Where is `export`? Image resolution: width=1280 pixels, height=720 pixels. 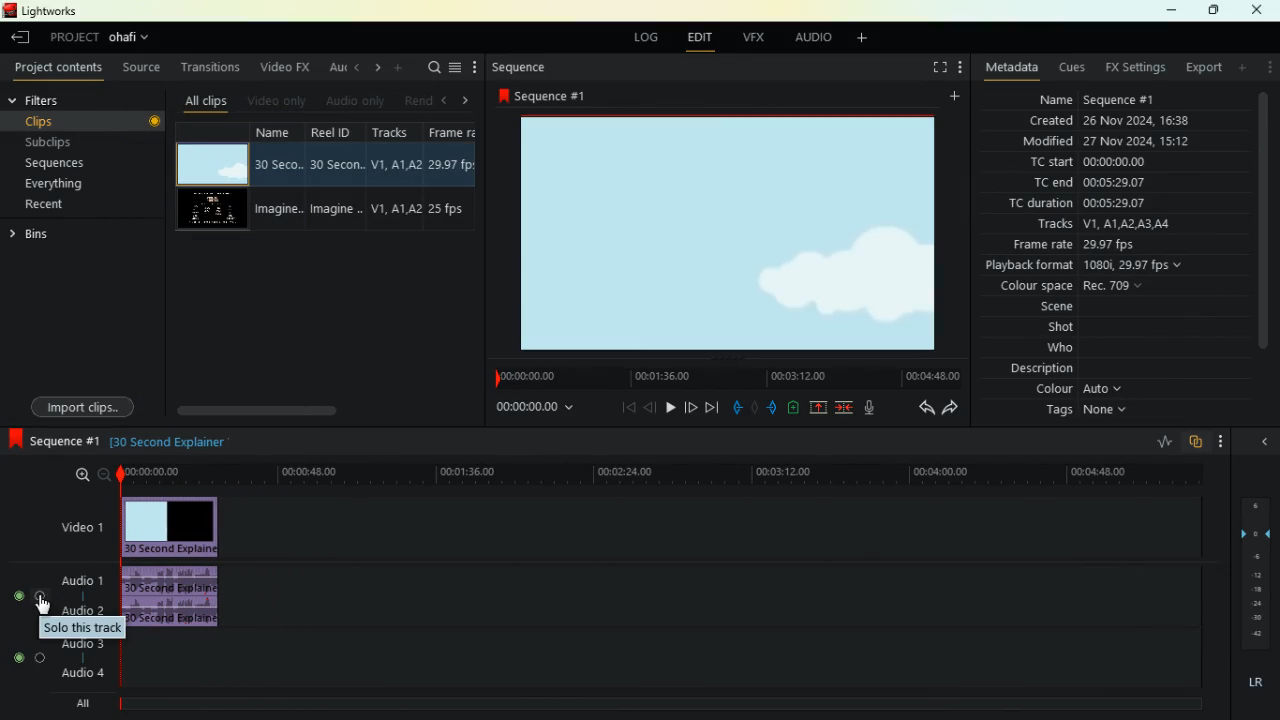 export is located at coordinates (1199, 67).